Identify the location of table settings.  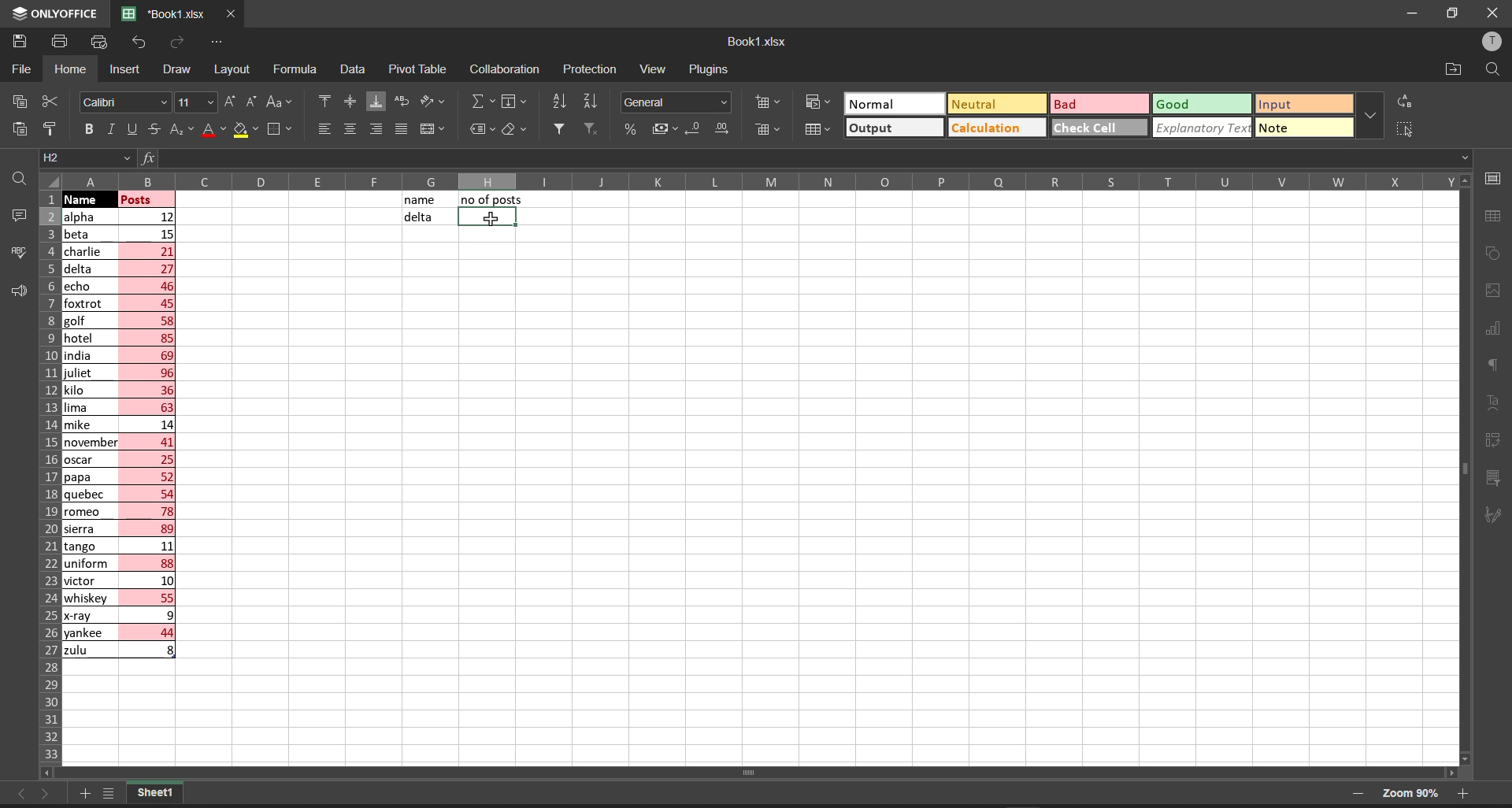
(1498, 217).